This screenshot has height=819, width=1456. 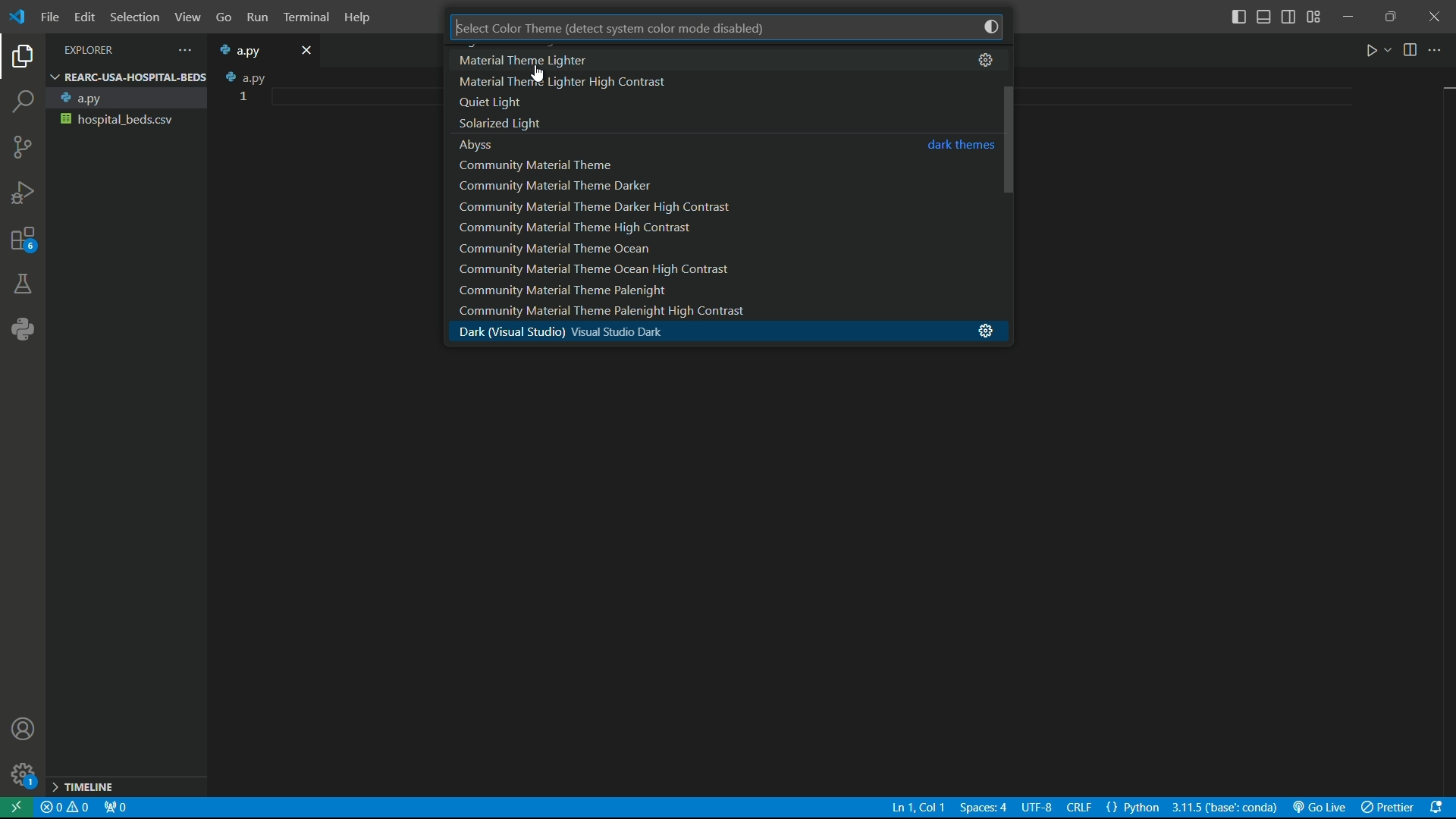 What do you see at coordinates (984, 808) in the screenshot?
I see `Spaces: 4` at bounding box center [984, 808].